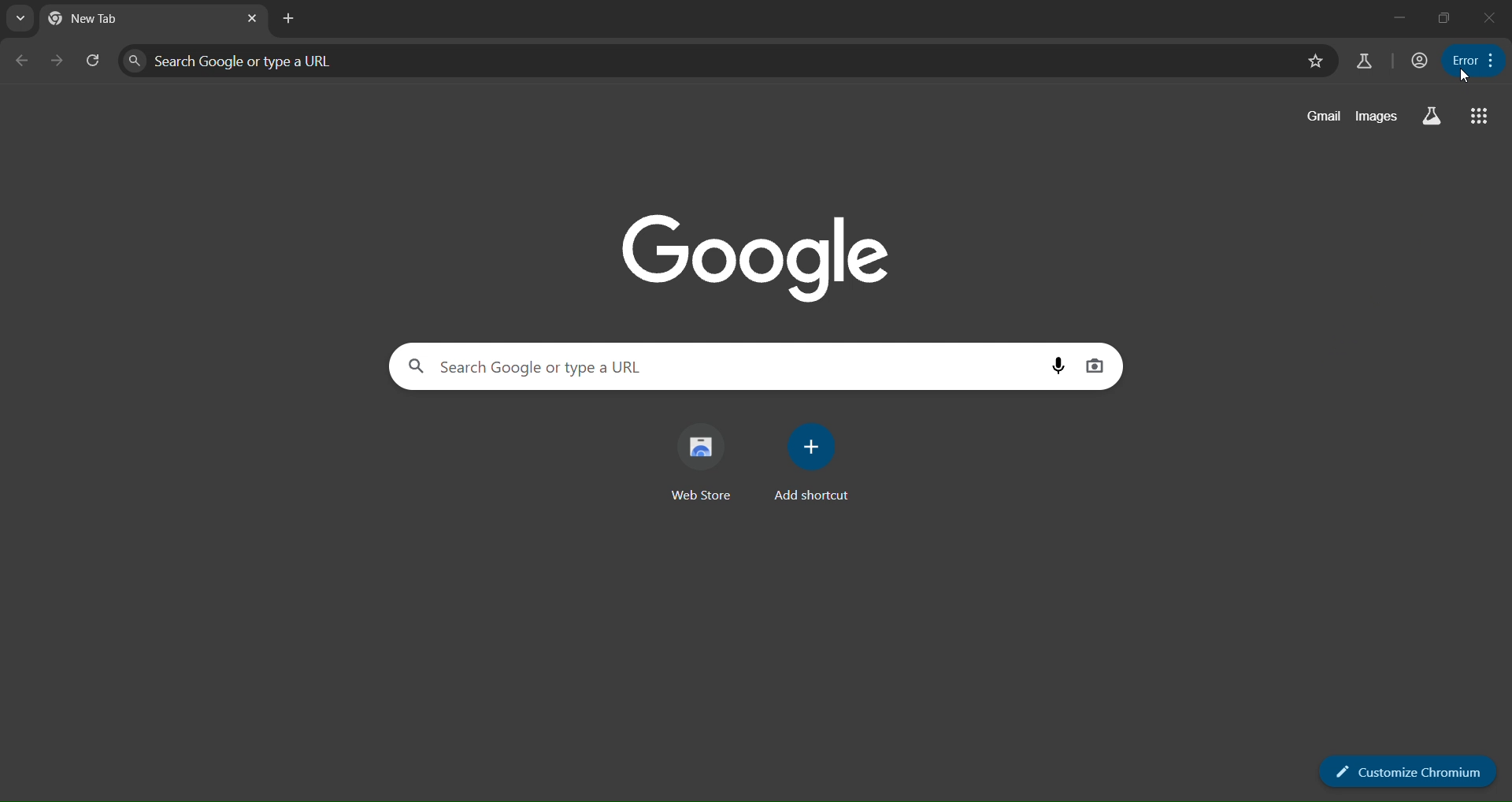 This screenshot has width=1512, height=802. I want to click on voice search, so click(1055, 366).